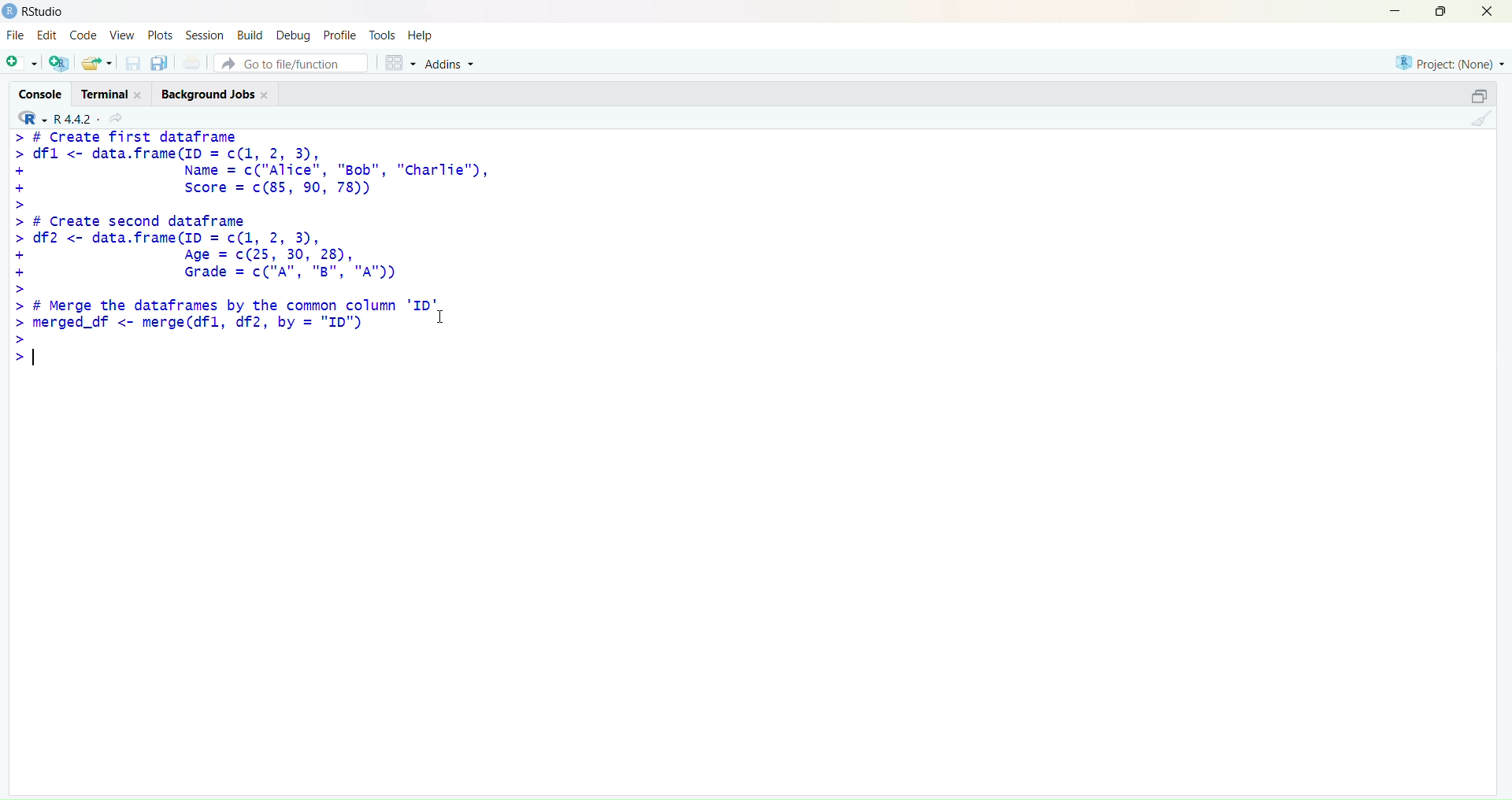 The height and width of the screenshot is (800, 1512). I want to click on share current directory, so click(116, 119).